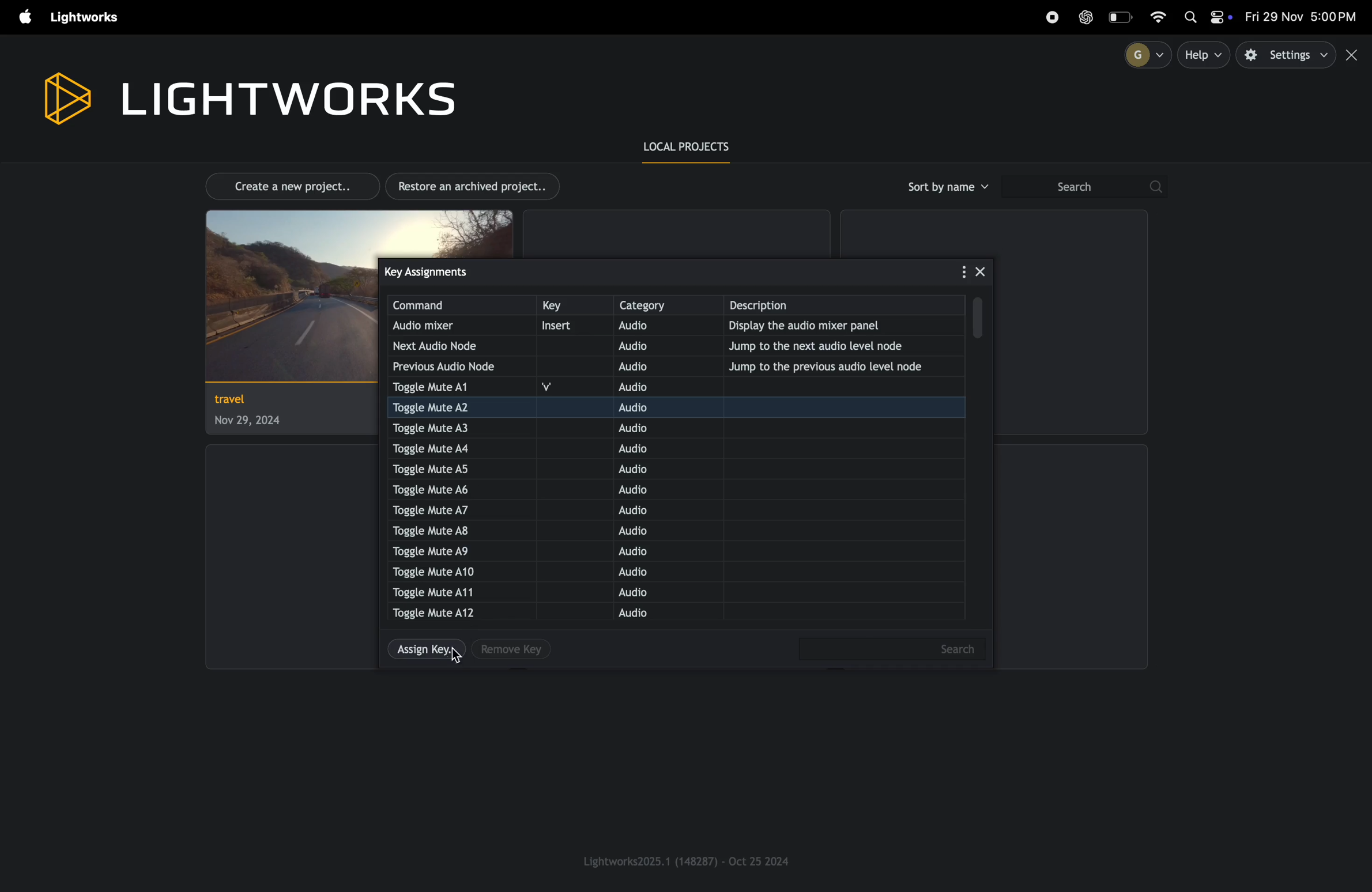 The height and width of the screenshot is (892, 1372). Describe the element at coordinates (658, 553) in the screenshot. I see `audio` at that location.